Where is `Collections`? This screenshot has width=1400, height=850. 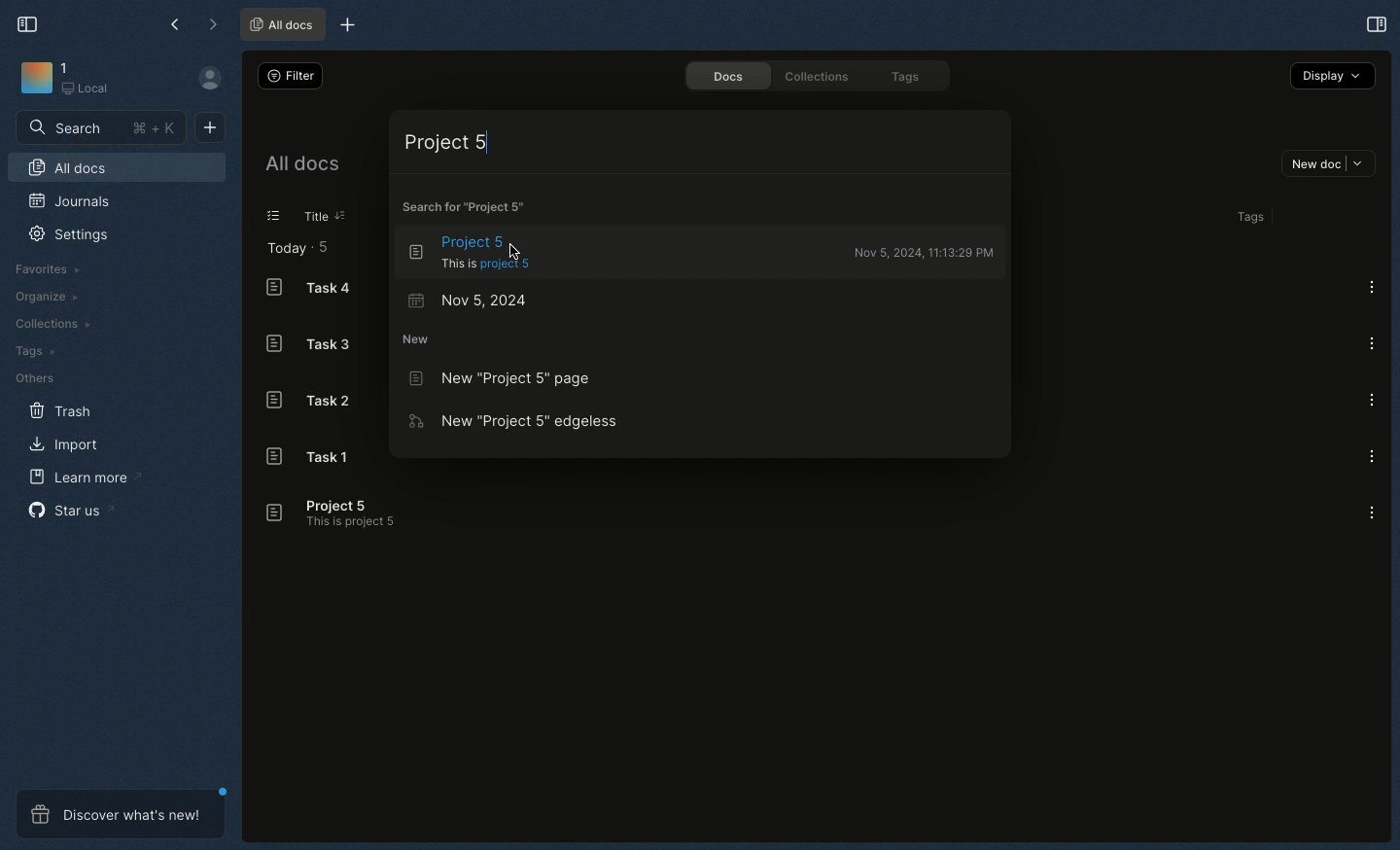
Collections is located at coordinates (51, 324).